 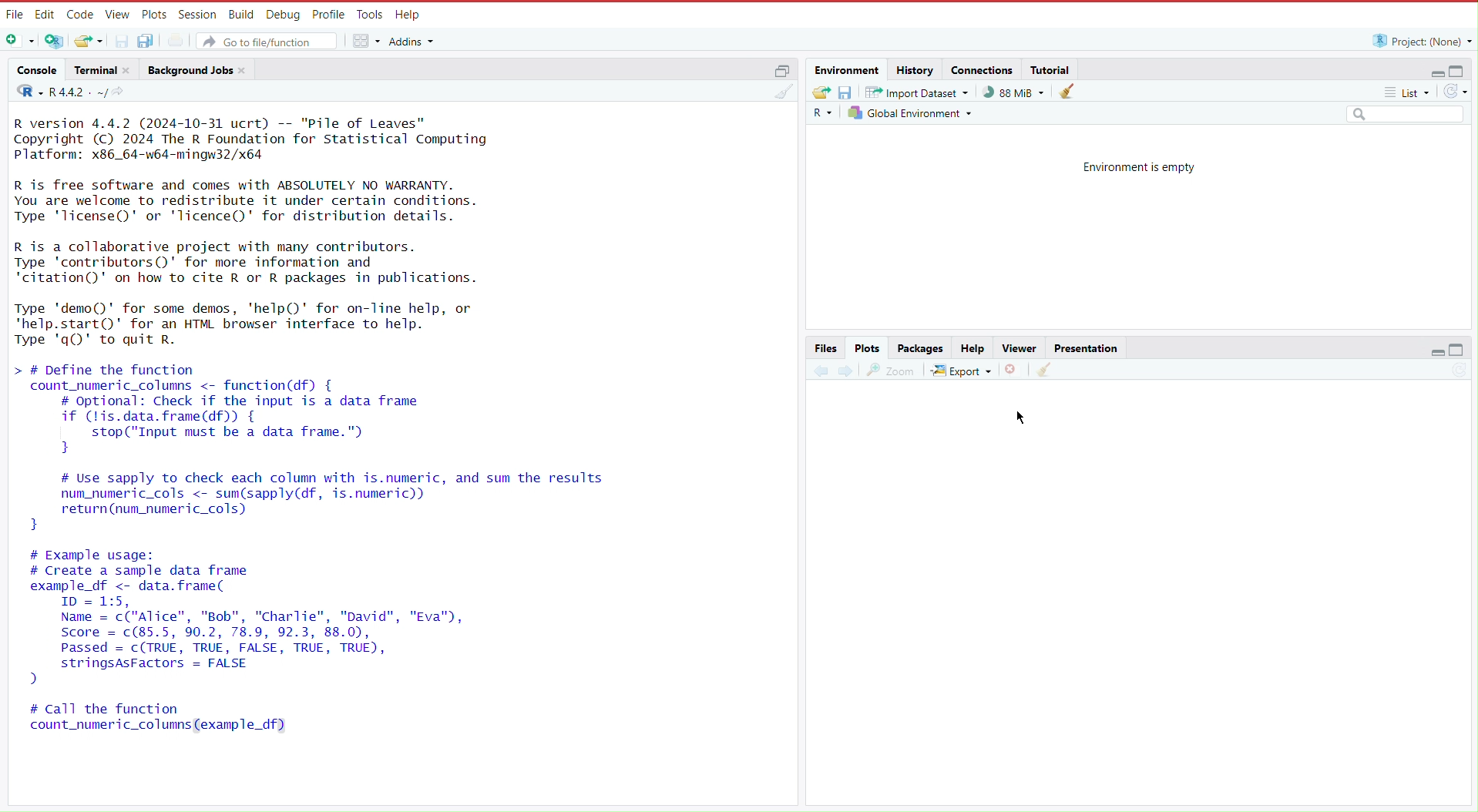 I want to click on Viewer, so click(x=1017, y=348).